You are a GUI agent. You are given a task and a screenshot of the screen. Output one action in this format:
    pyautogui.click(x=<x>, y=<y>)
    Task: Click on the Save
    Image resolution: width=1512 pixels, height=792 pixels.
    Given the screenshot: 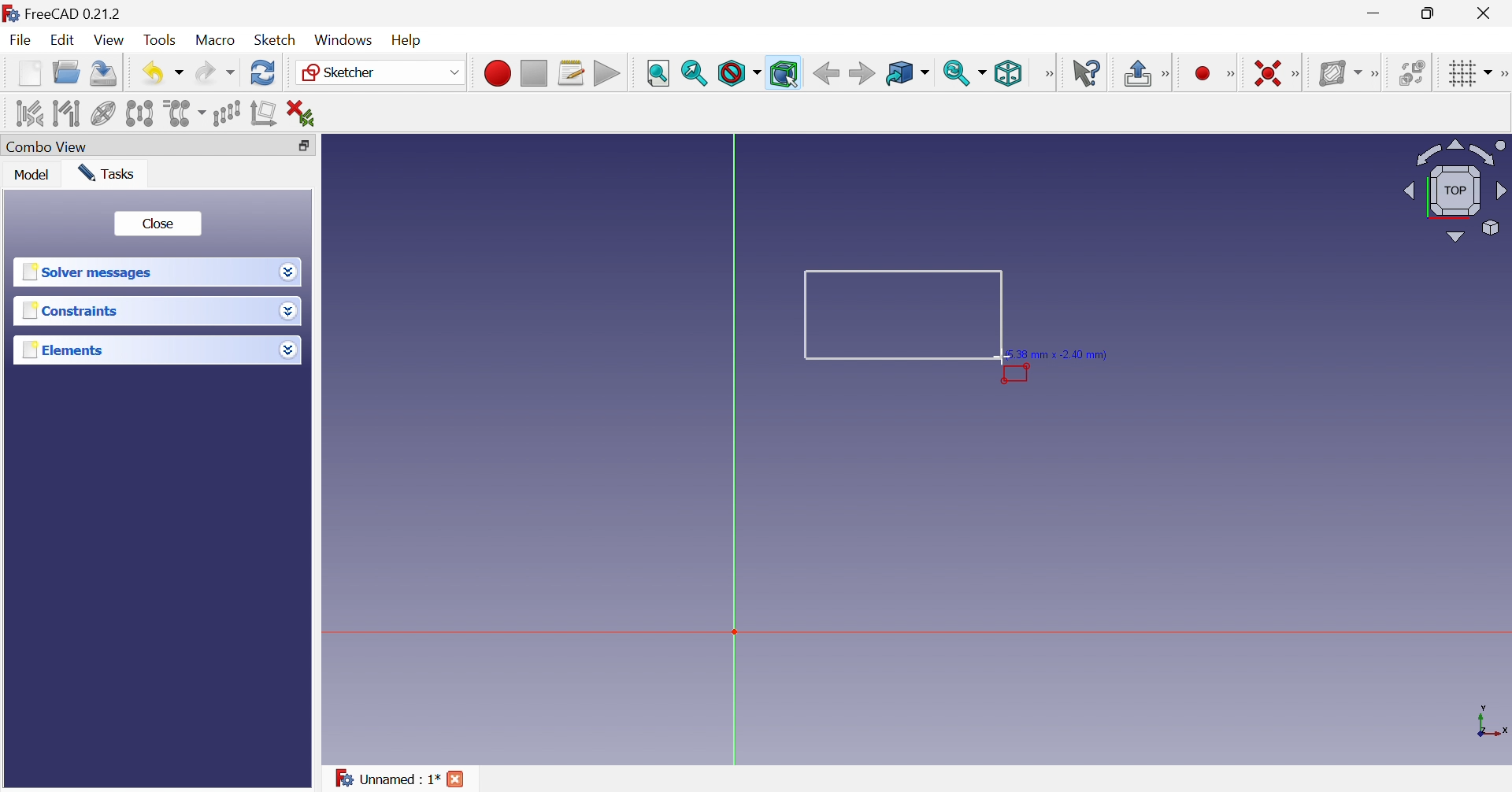 What is the action you would take?
    pyautogui.click(x=161, y=73)
    